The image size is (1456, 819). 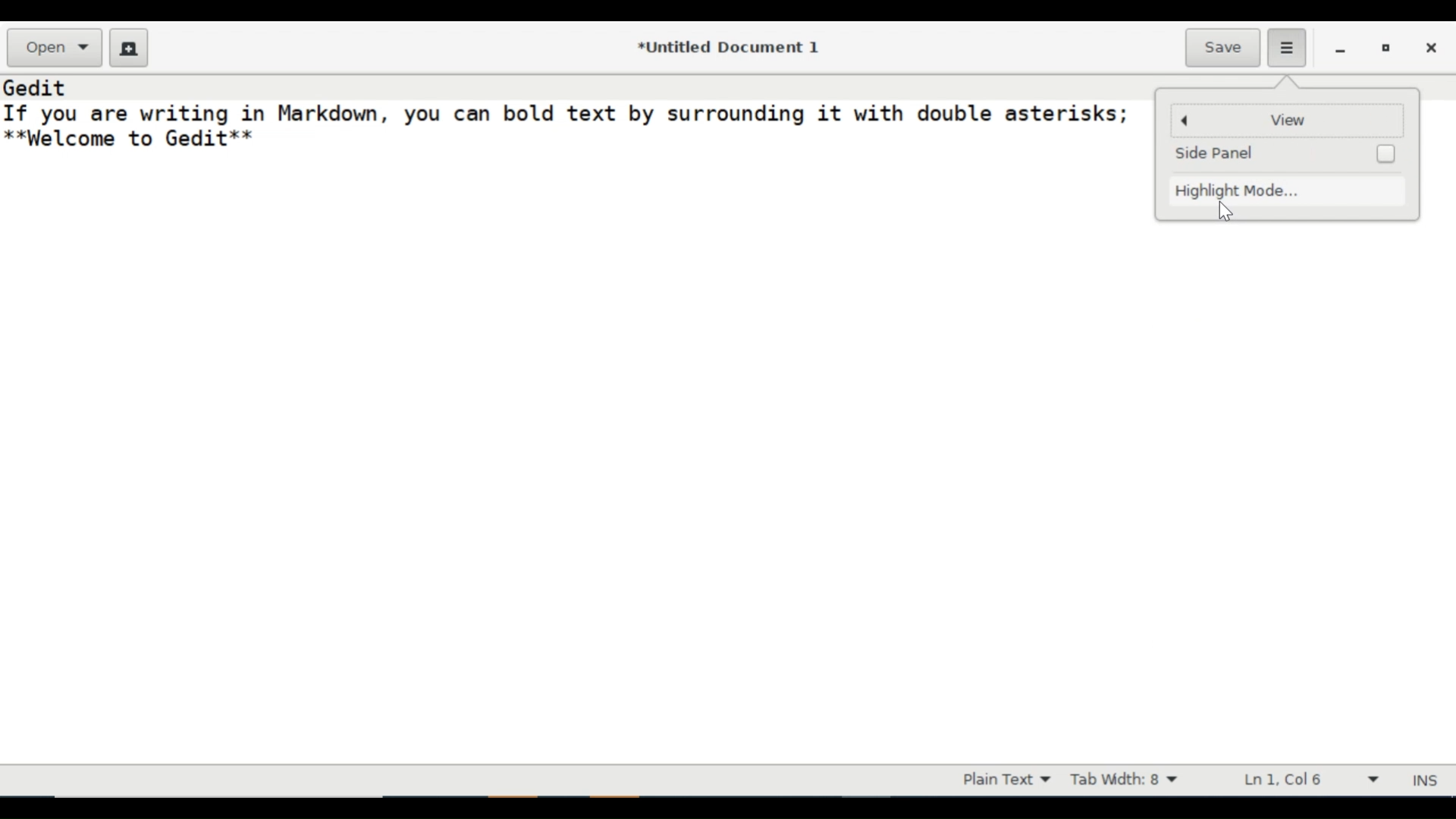 I want to click on Save, so click(x=1221, y=47).